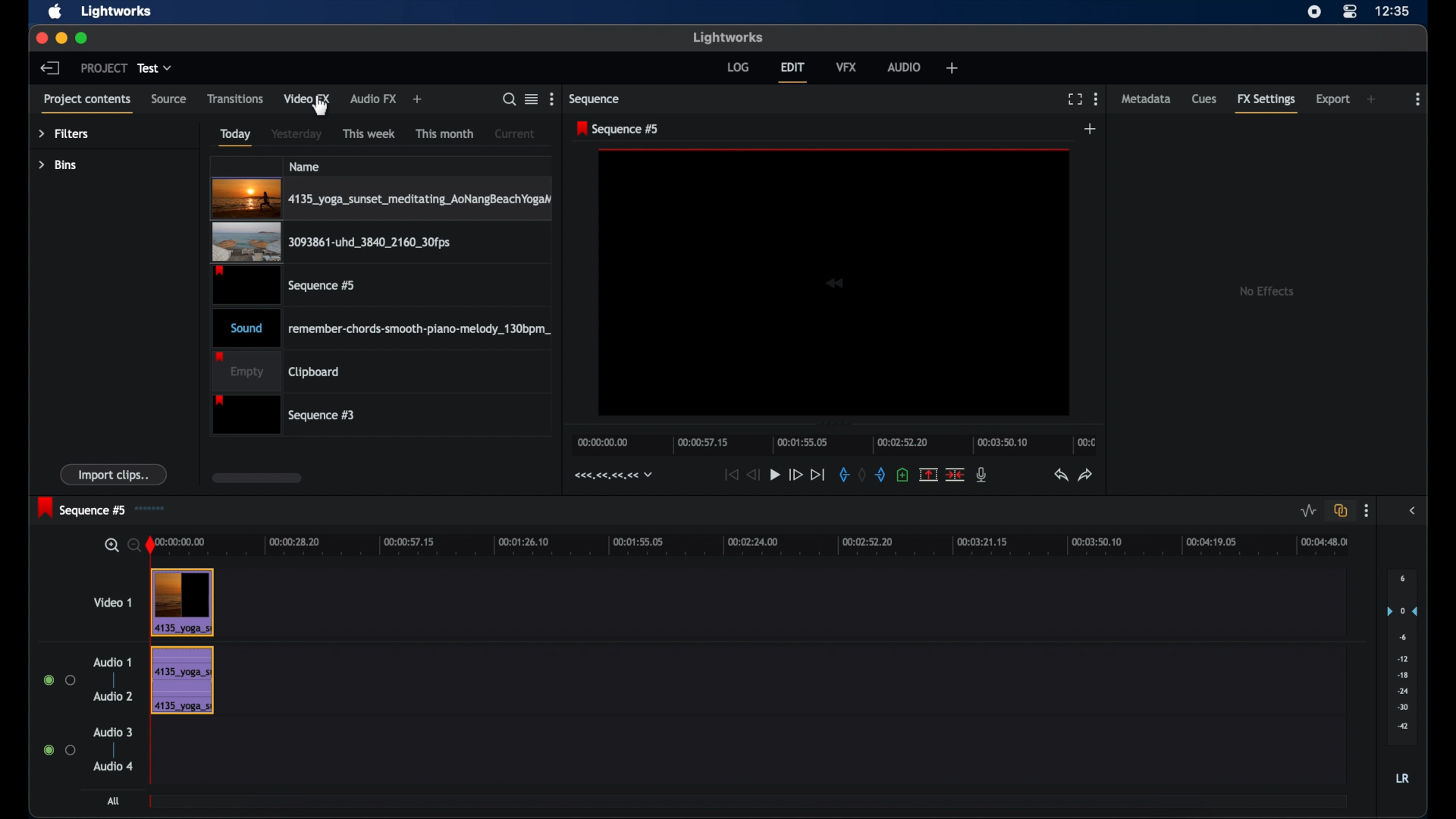  Describe the element at coordinates (154, 508) in the screenshot. I see `sequence icon` at that location.